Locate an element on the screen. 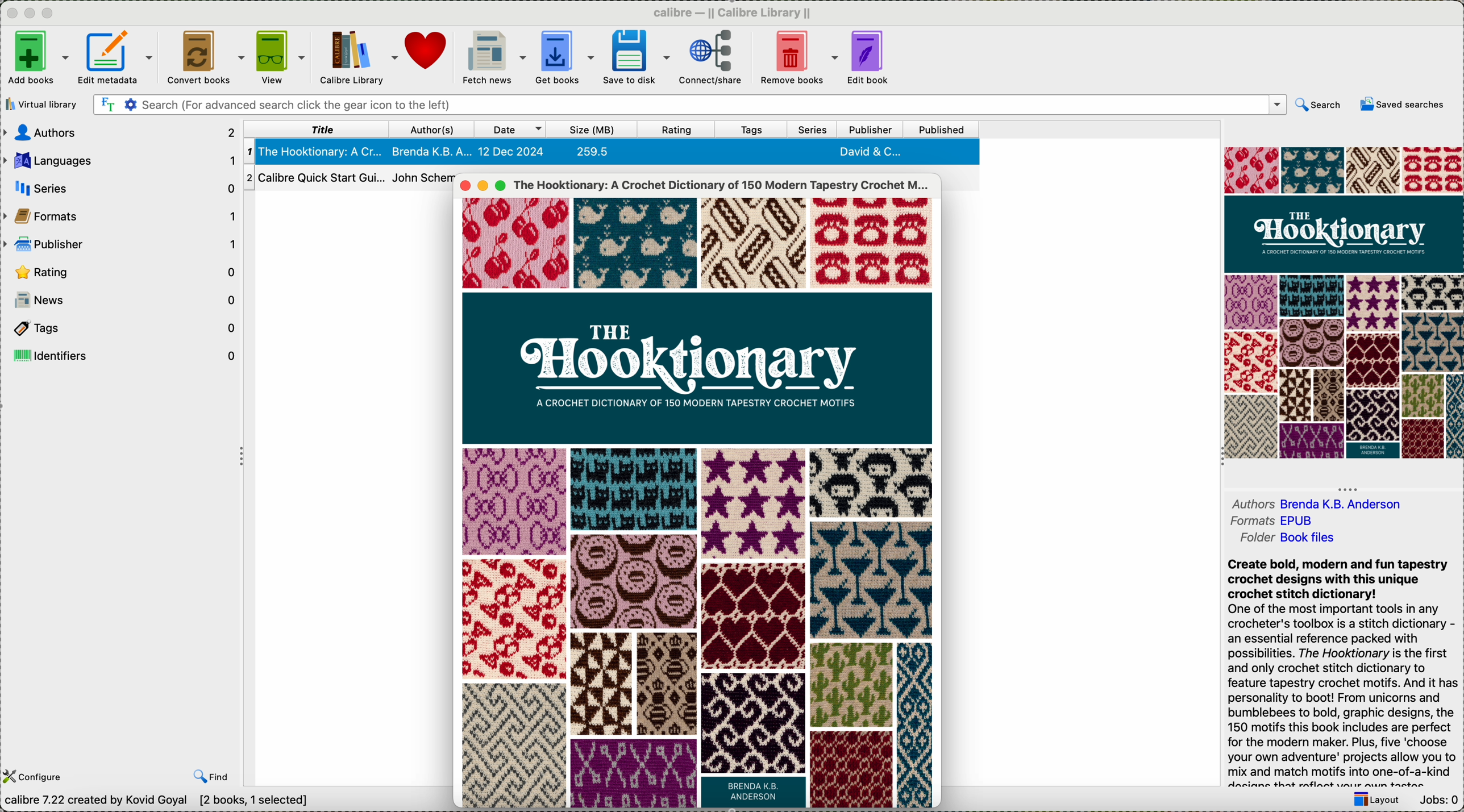  search bar is located at coordinates (691, 105).